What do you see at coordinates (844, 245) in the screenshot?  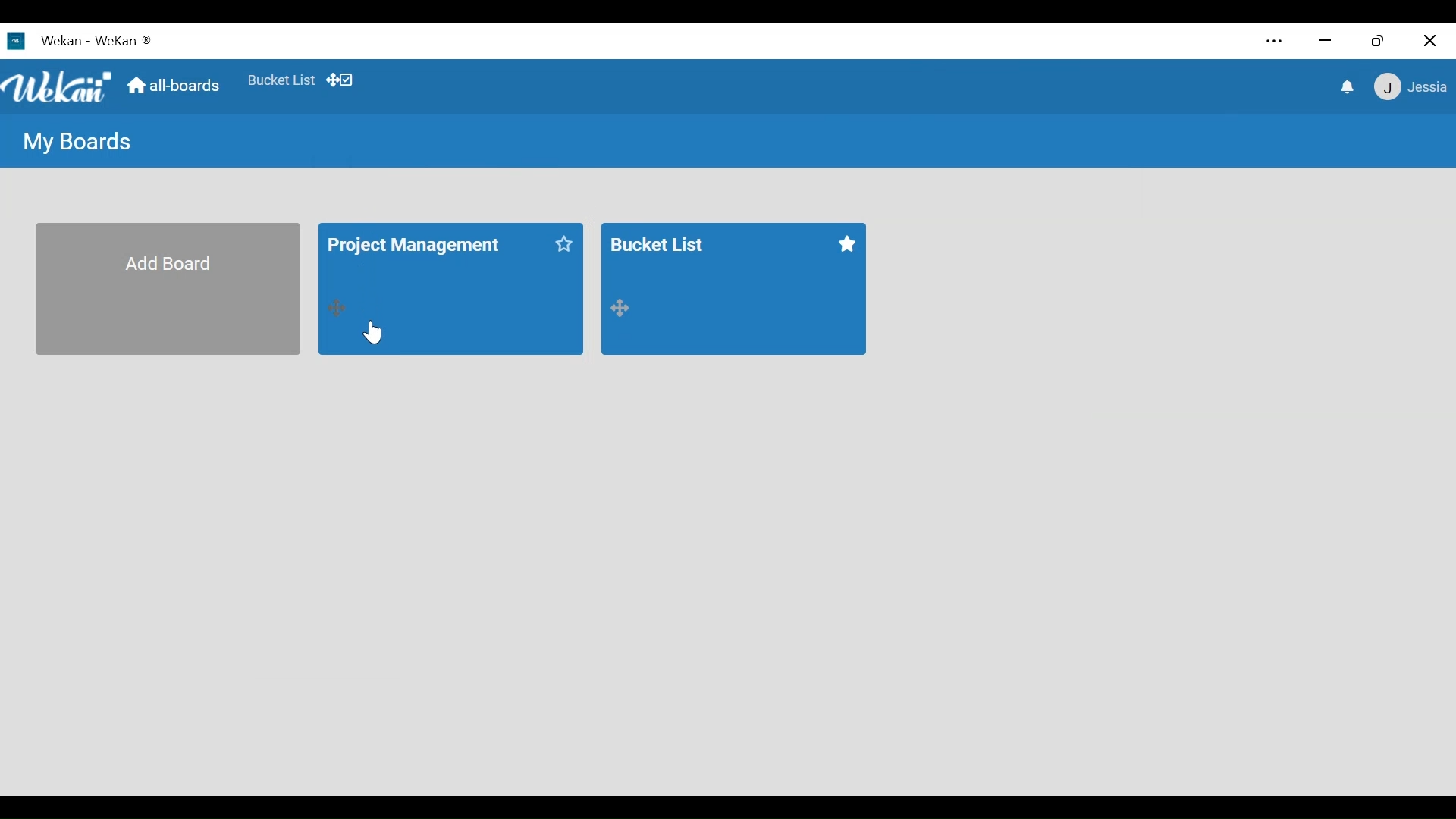 I see `star` at bounding box center [844, 245].